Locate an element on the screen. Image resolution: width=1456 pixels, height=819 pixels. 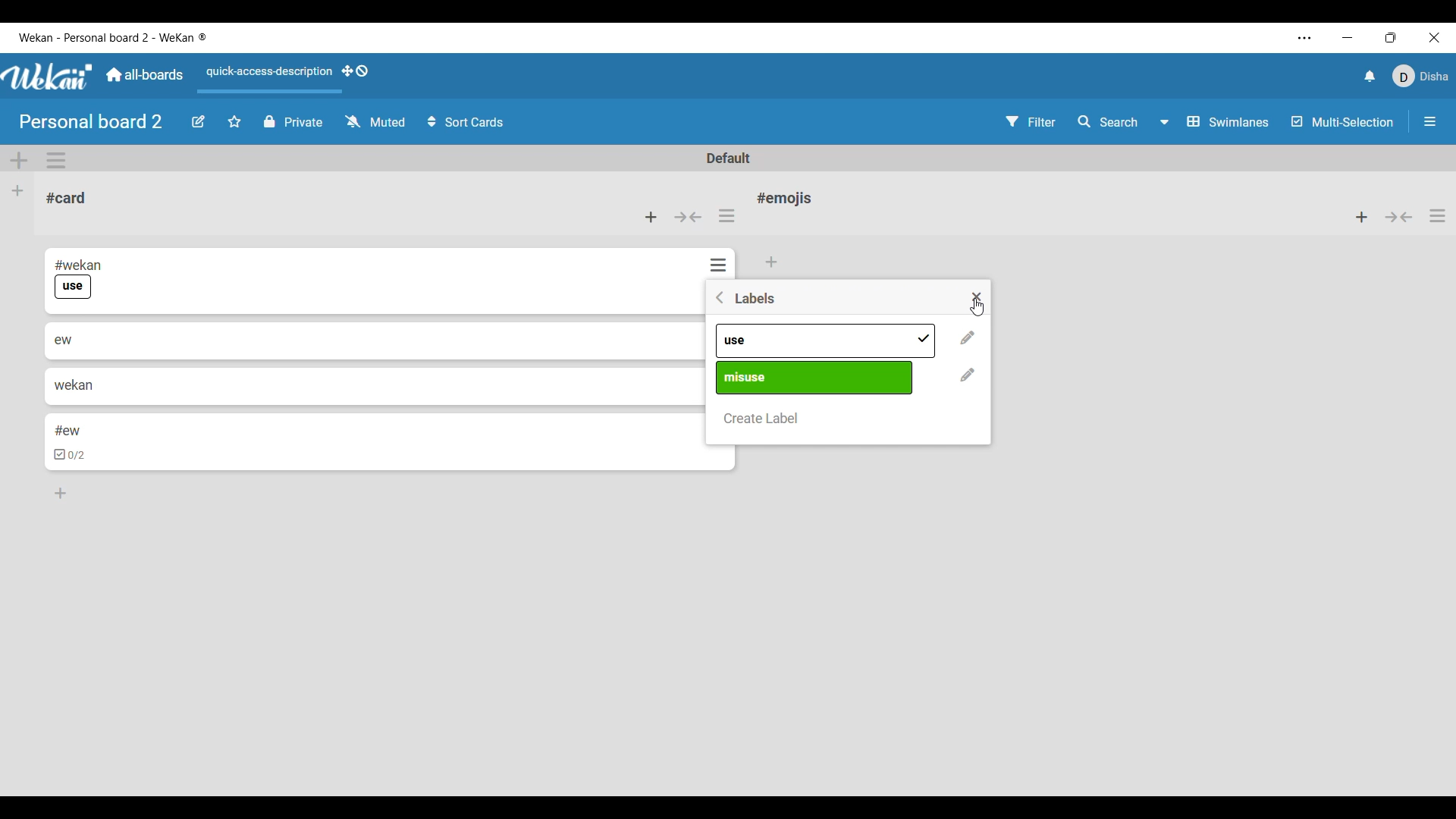
Collapse is located at coordinates (689, 217).